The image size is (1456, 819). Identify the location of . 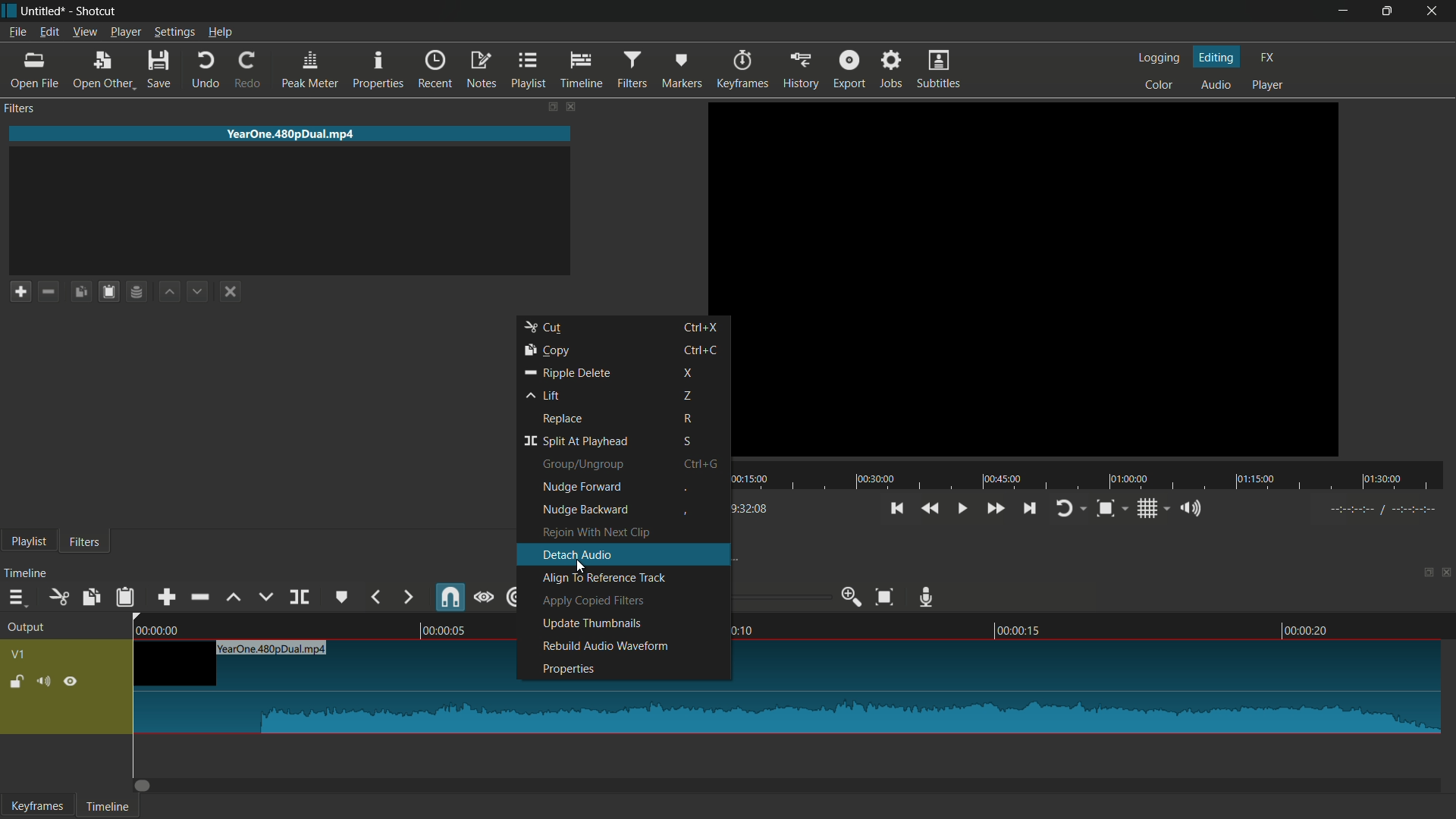
(686, 513).